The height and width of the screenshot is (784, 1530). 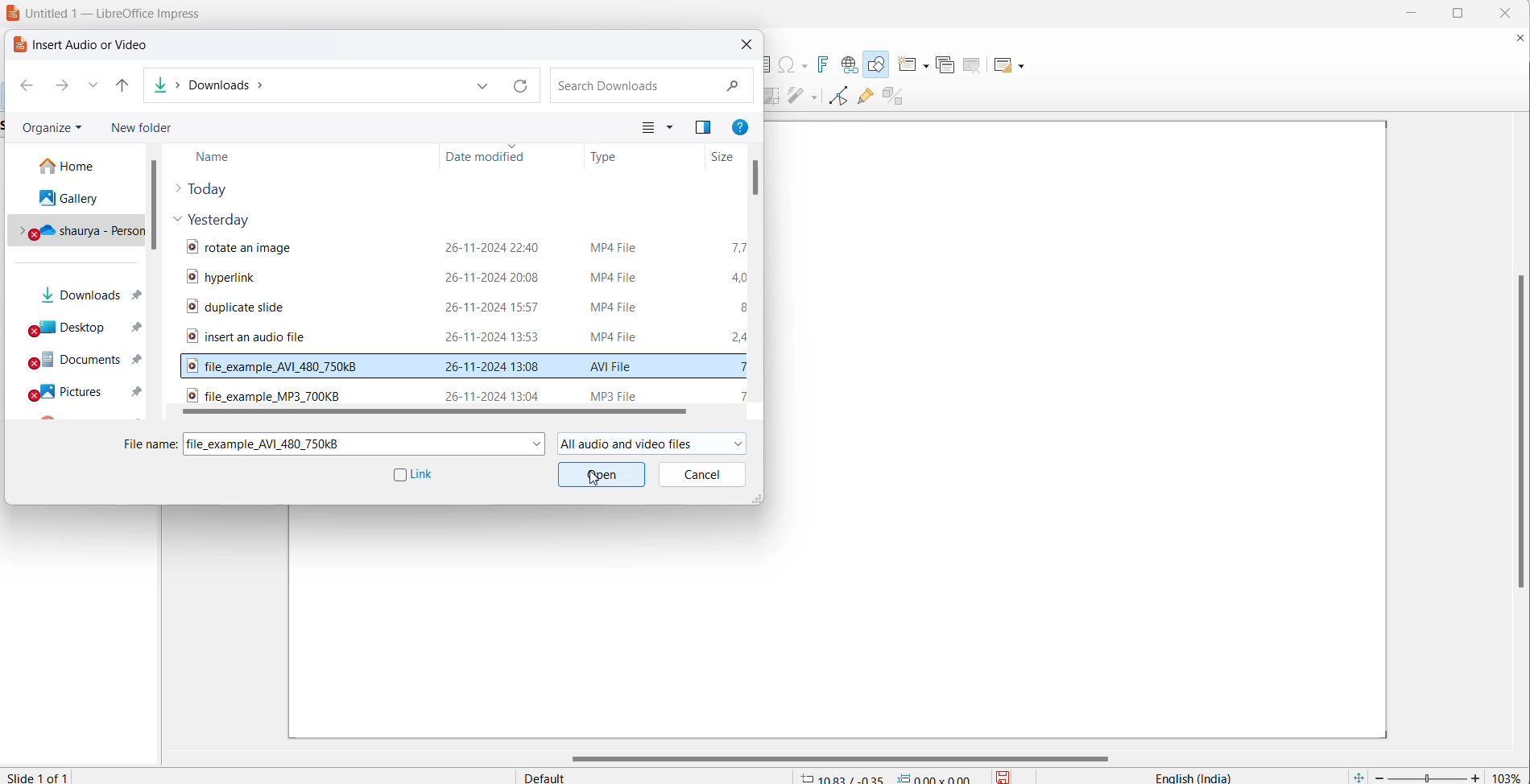 I want to click on toggle endpoint edit mode, so click(x=843, y=98).